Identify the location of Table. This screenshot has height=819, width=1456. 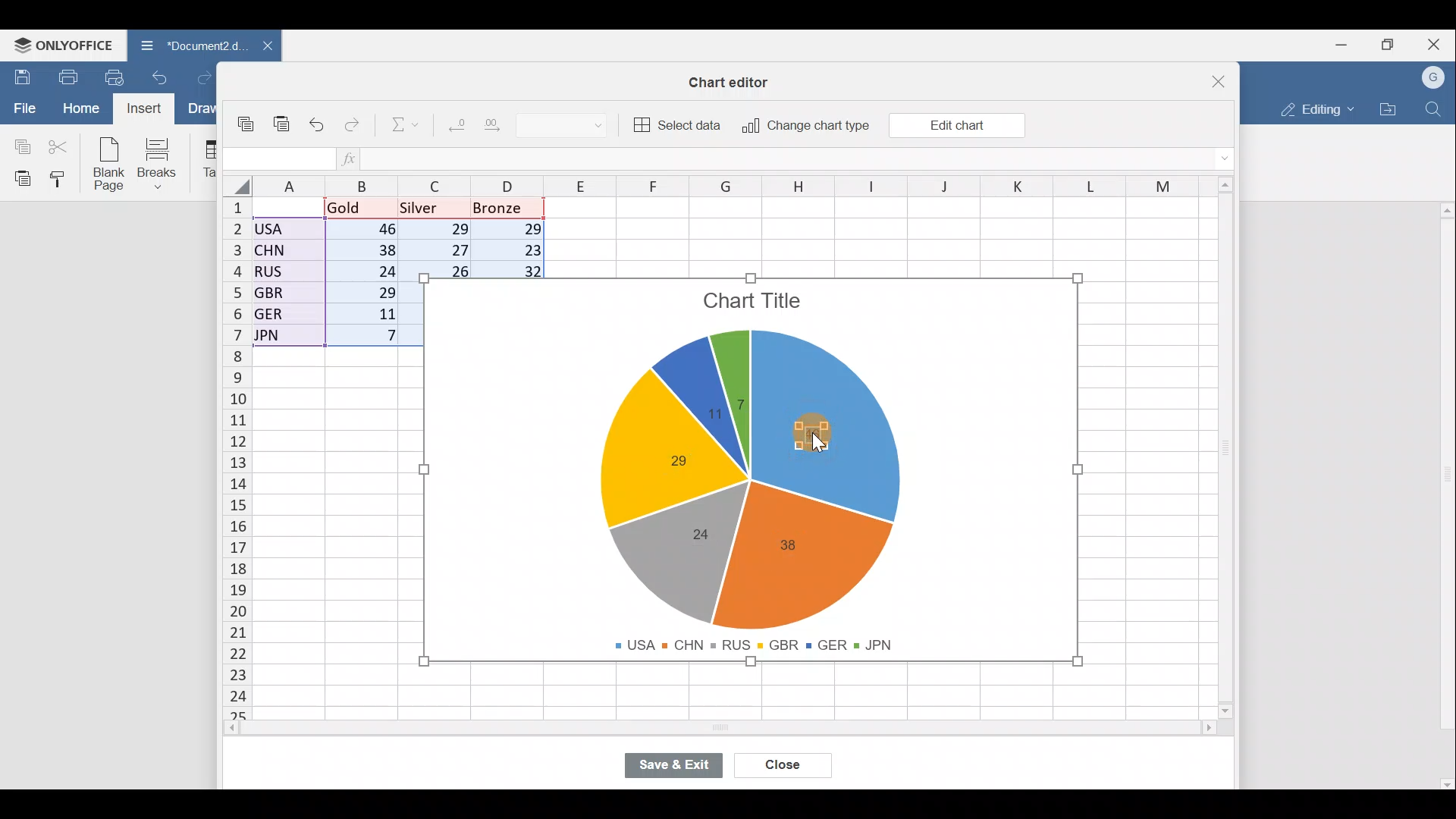
(205, 159).